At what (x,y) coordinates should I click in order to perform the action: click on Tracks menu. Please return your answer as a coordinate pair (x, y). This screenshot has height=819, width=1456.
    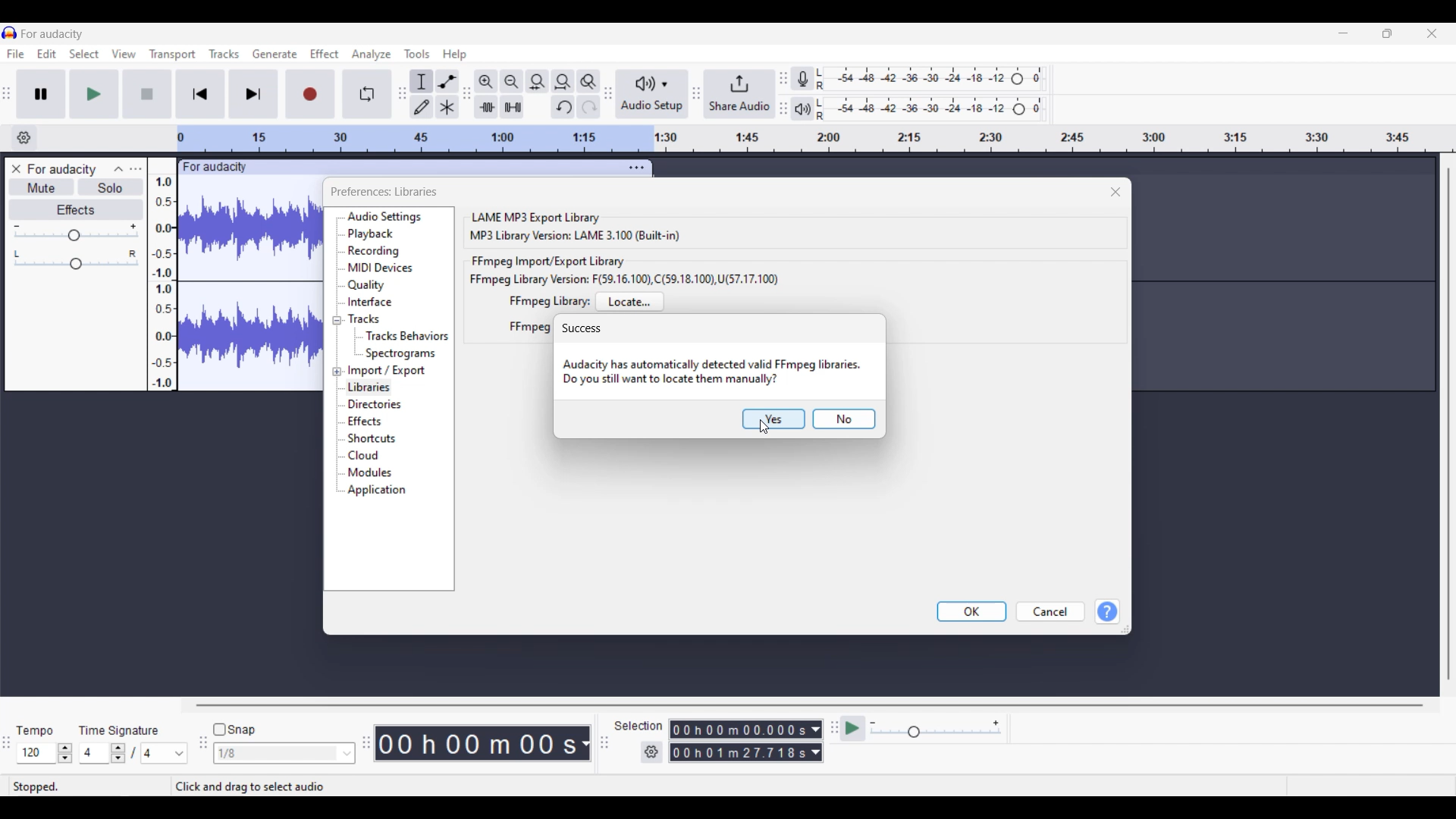
    Looking at the image, I should click on (224, 54).